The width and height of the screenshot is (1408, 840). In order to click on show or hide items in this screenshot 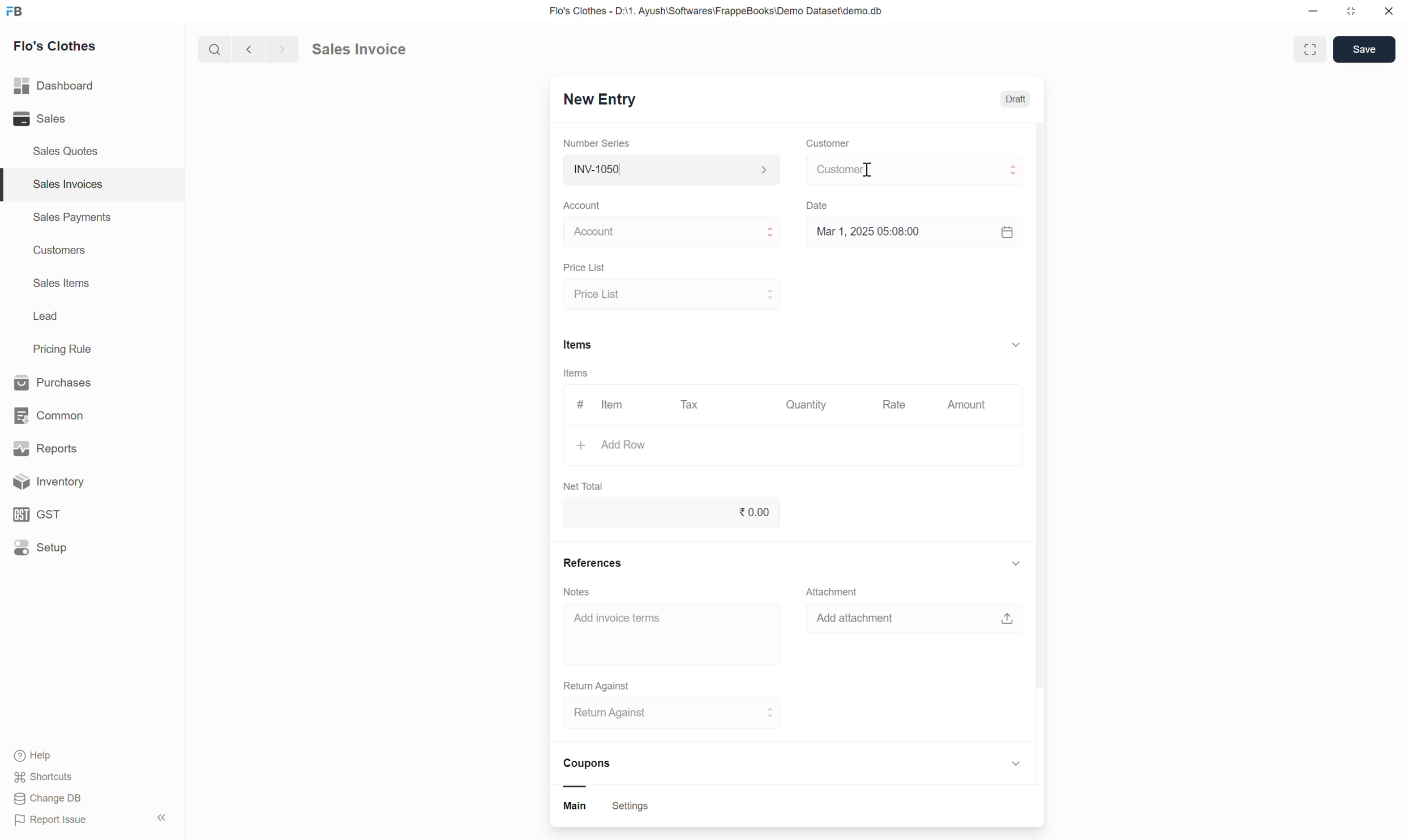, I will do `click(1016, 342)`.